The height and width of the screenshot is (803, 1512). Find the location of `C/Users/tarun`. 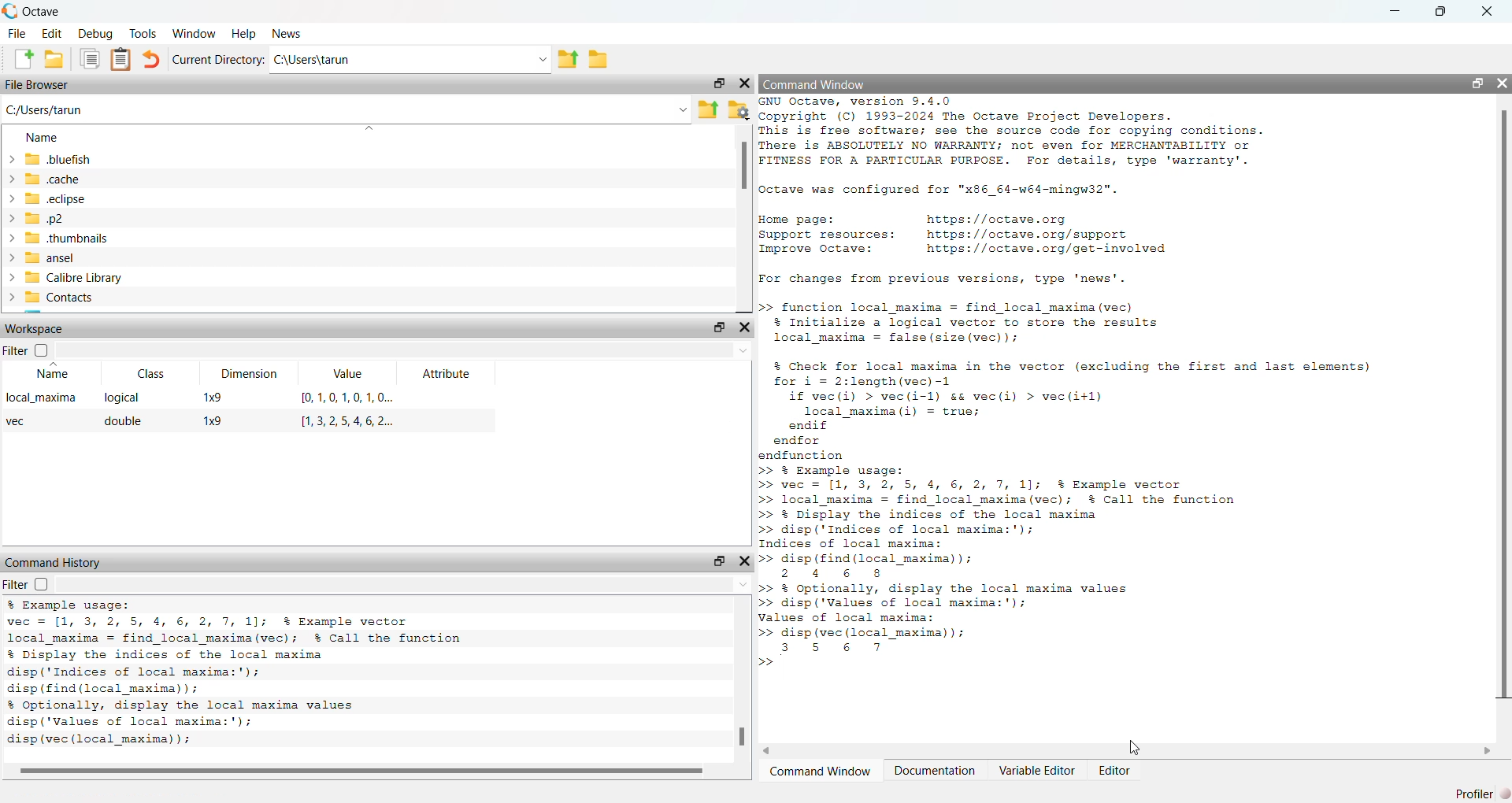

C/Users/tarun is located at coordinates (49, 109).